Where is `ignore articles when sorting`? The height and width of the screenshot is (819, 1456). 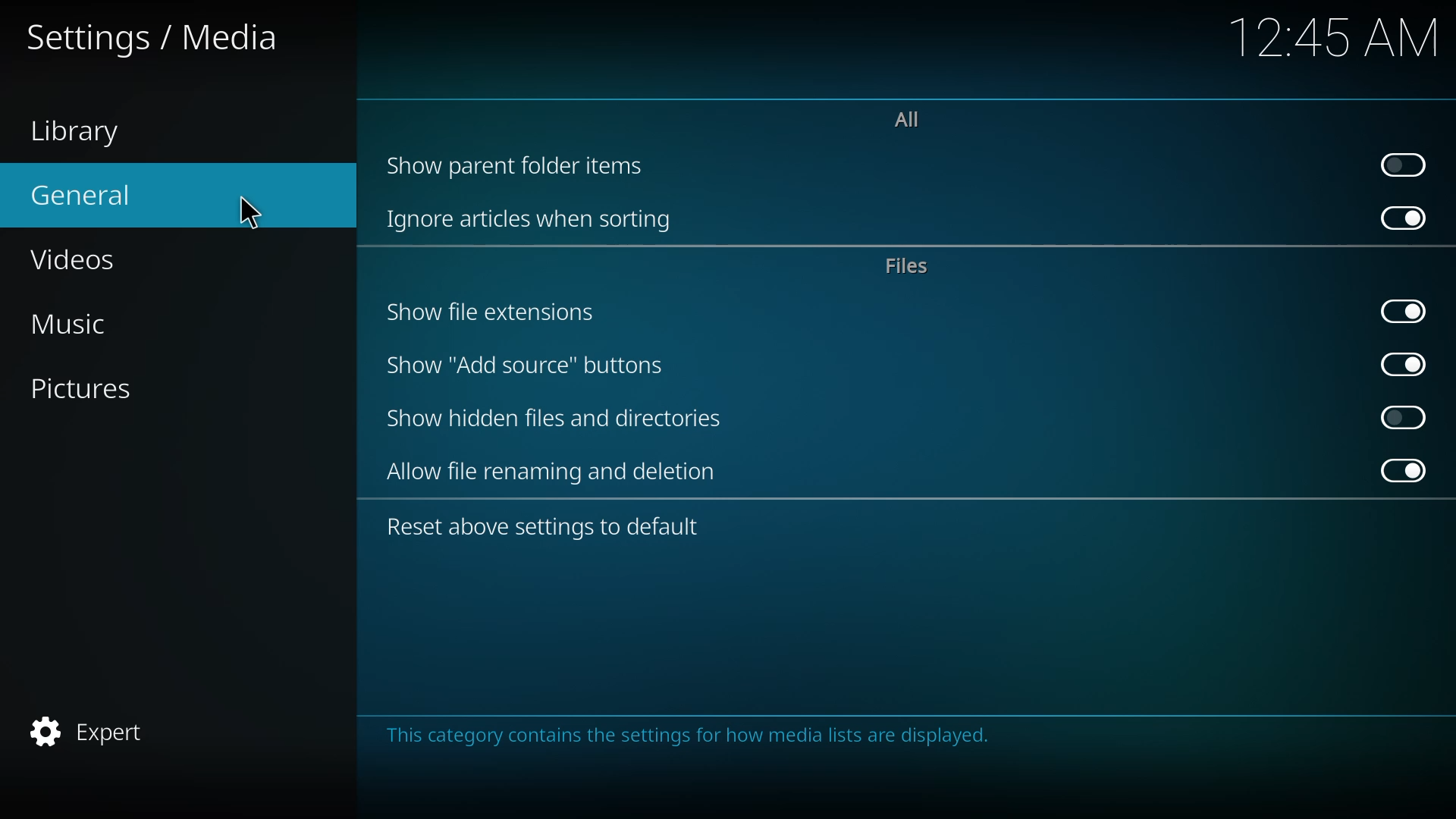 ignore articles when sorting is located at coordinates (538, 218).